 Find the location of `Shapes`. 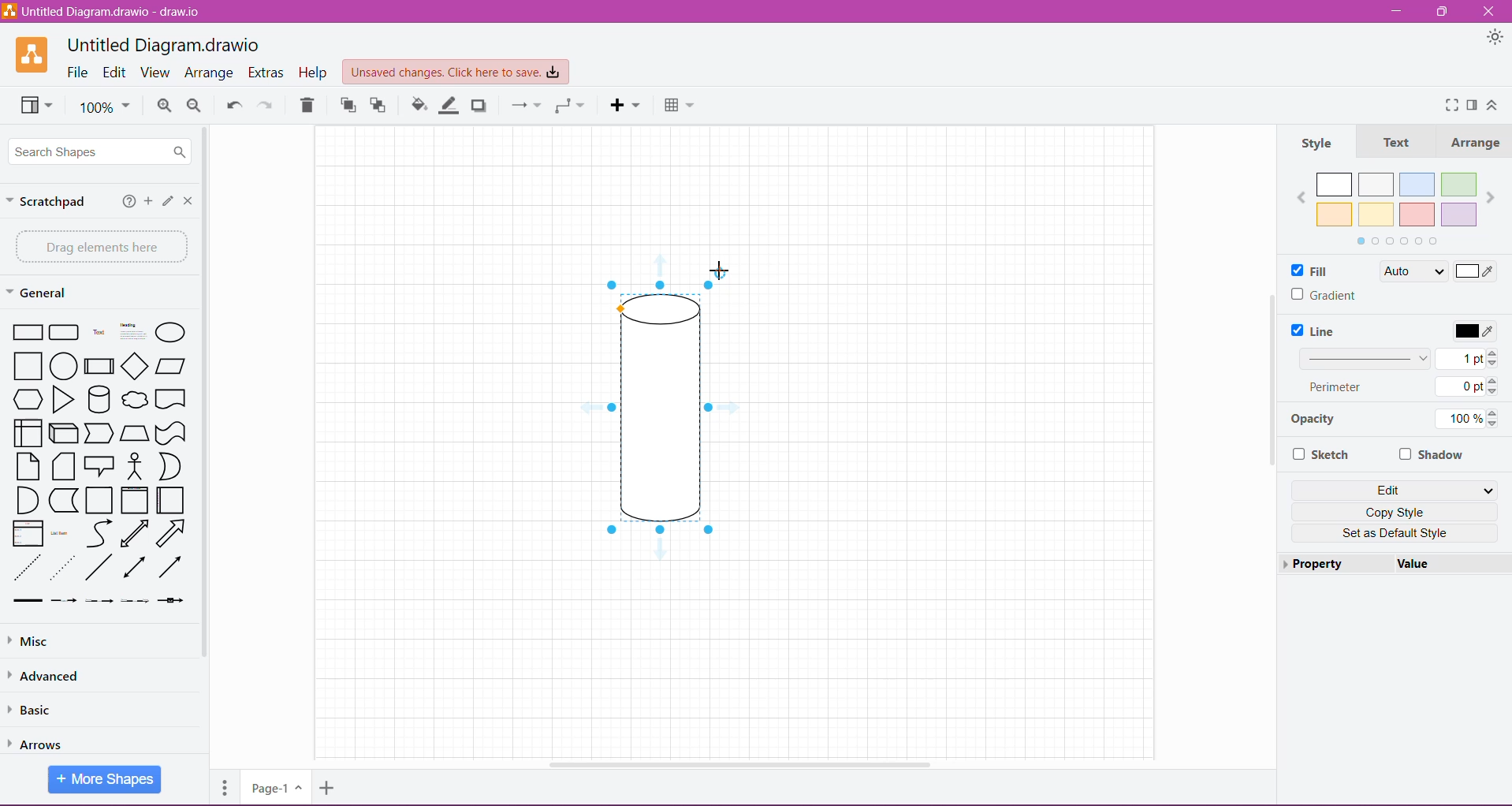

Shapes is located at coordinates (99, 461).